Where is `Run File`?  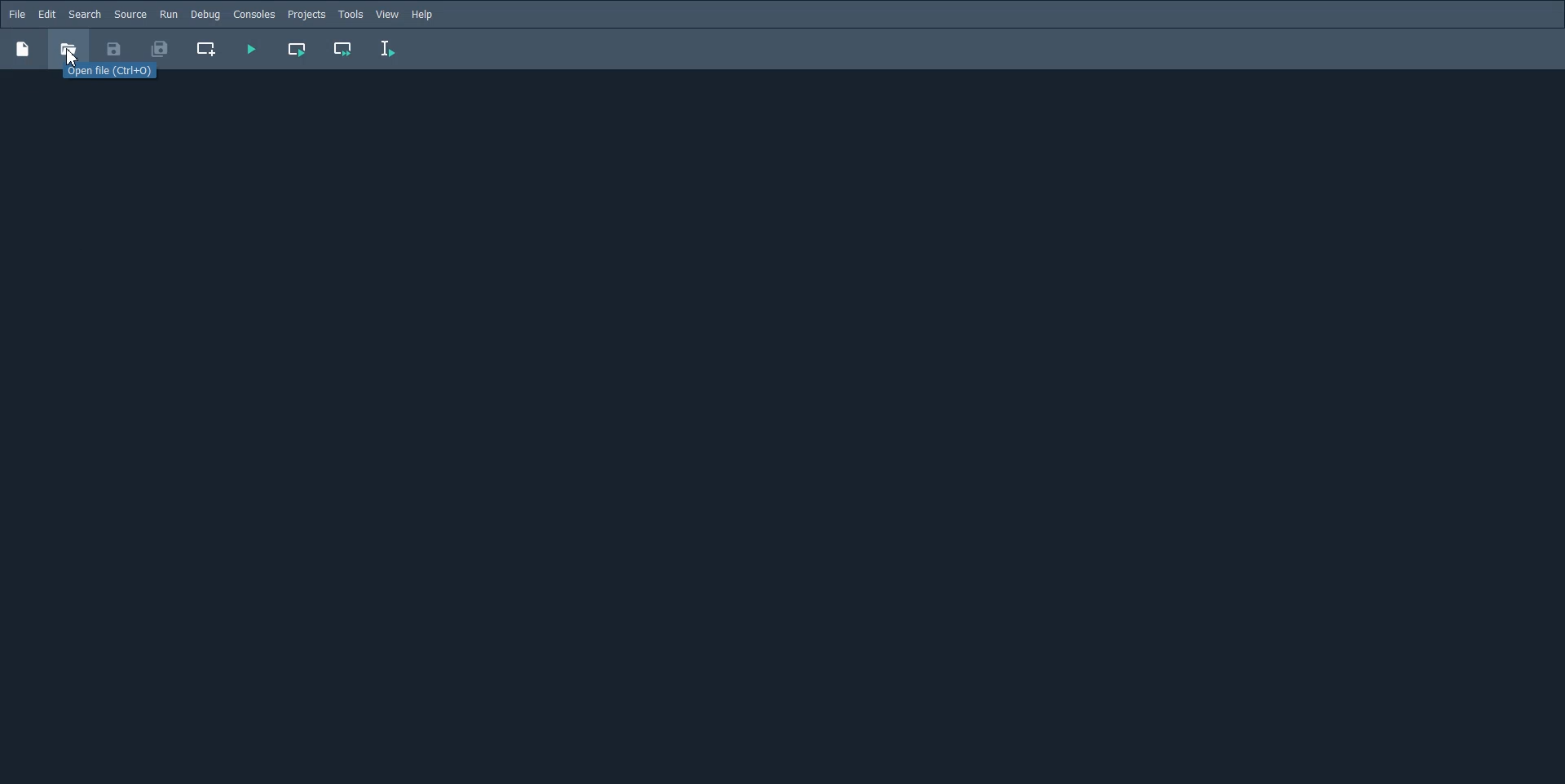 Run File is located at coordinates (251, 49).